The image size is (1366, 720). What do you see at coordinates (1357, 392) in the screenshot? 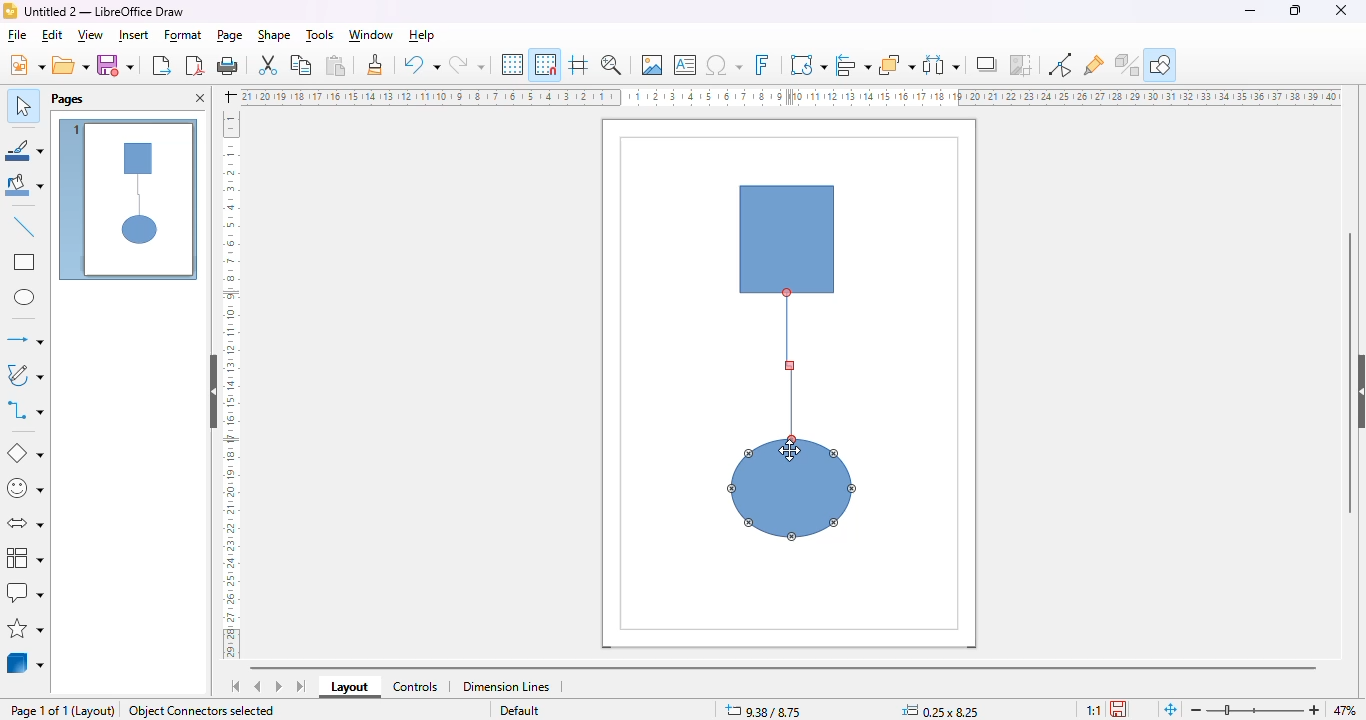
I see `show` at bounding box center [1357, 392].